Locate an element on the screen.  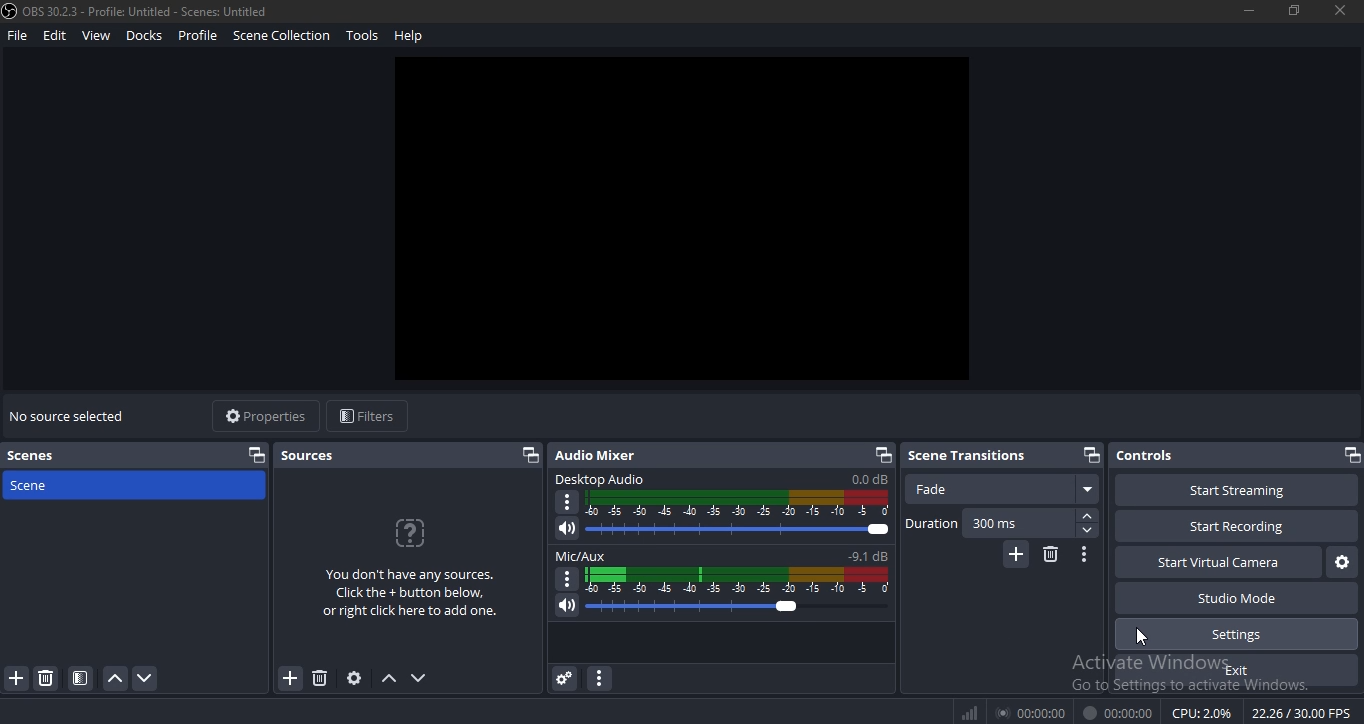
no source selected is located at coordinates (71, 413).